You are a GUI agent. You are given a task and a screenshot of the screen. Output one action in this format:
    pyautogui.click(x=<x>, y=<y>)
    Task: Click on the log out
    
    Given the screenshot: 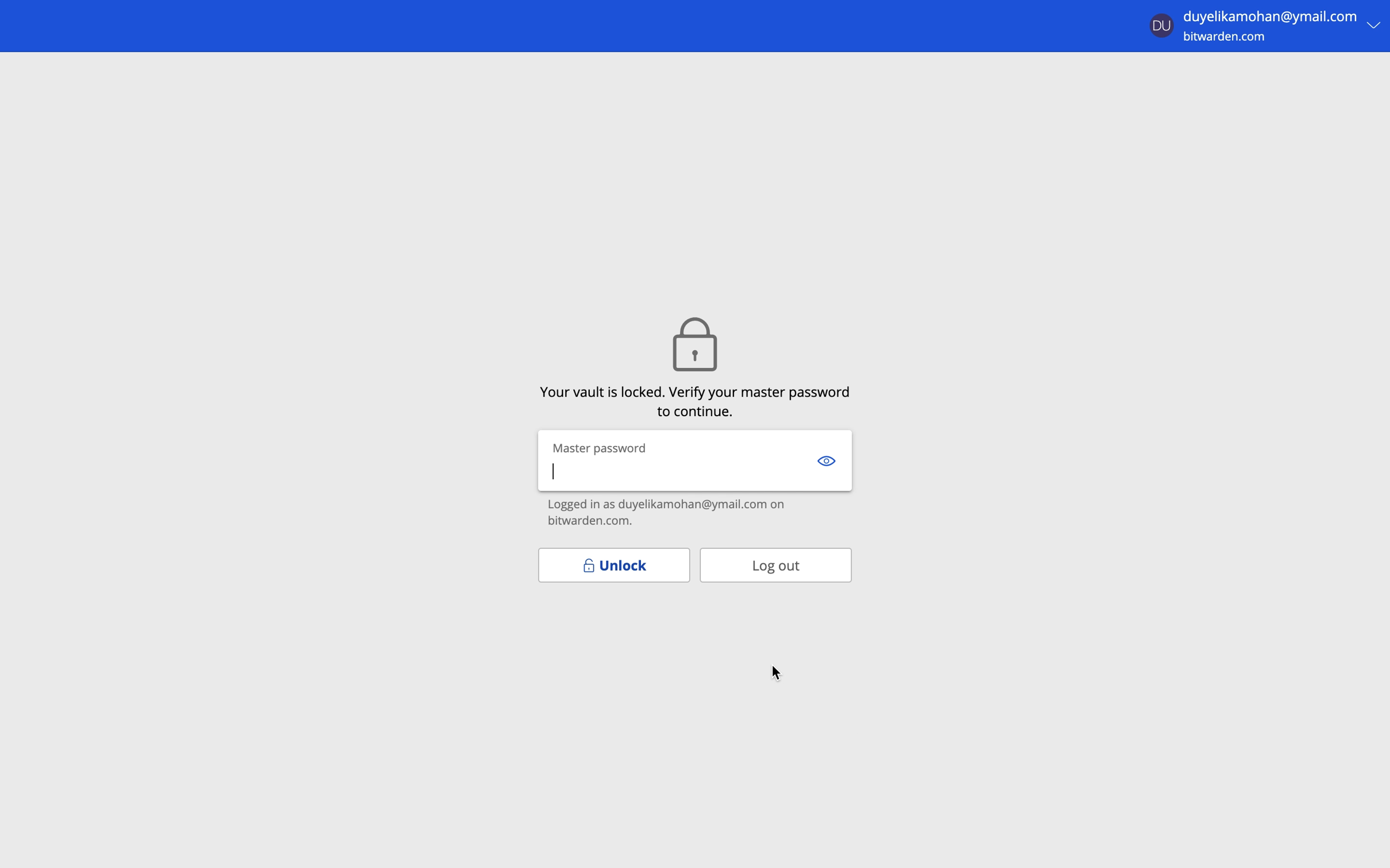 What is the action you would take?
    pyautogui.click(x=775, y=564)
    